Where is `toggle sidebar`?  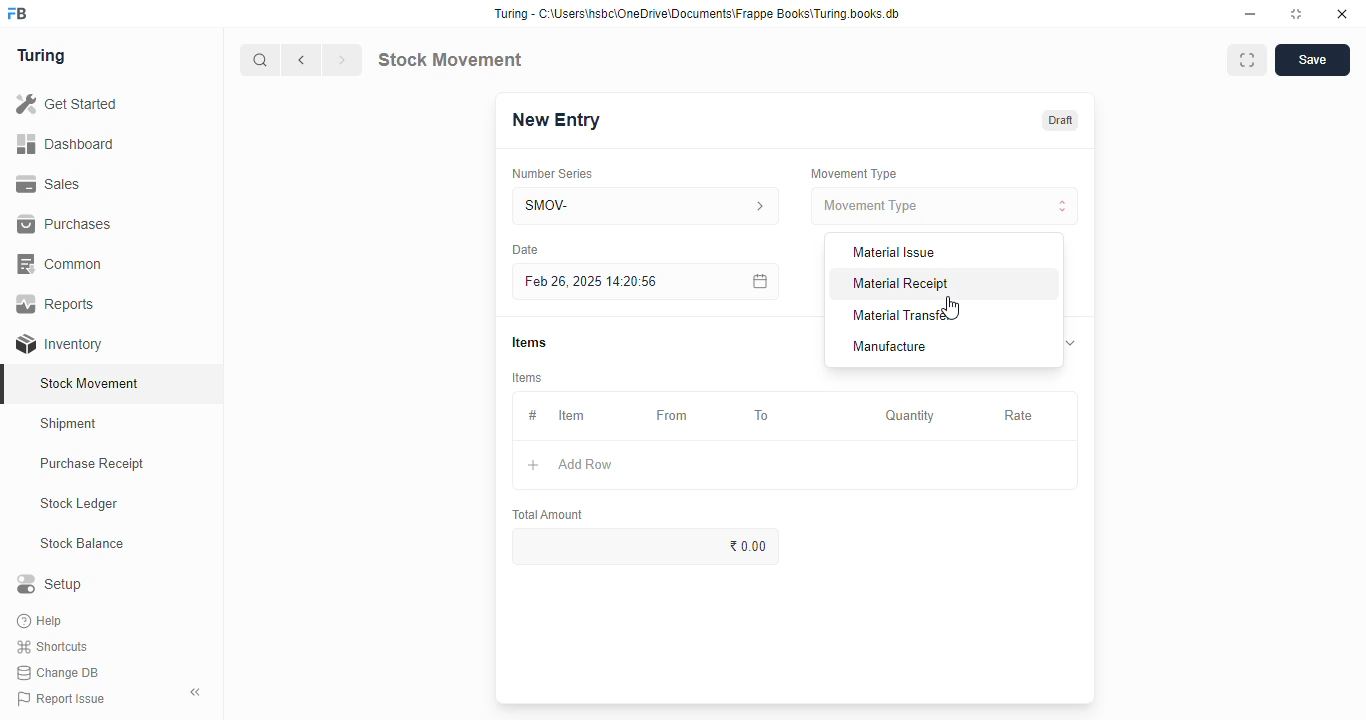 toggle sidebar is located at coordinates (196, 692).